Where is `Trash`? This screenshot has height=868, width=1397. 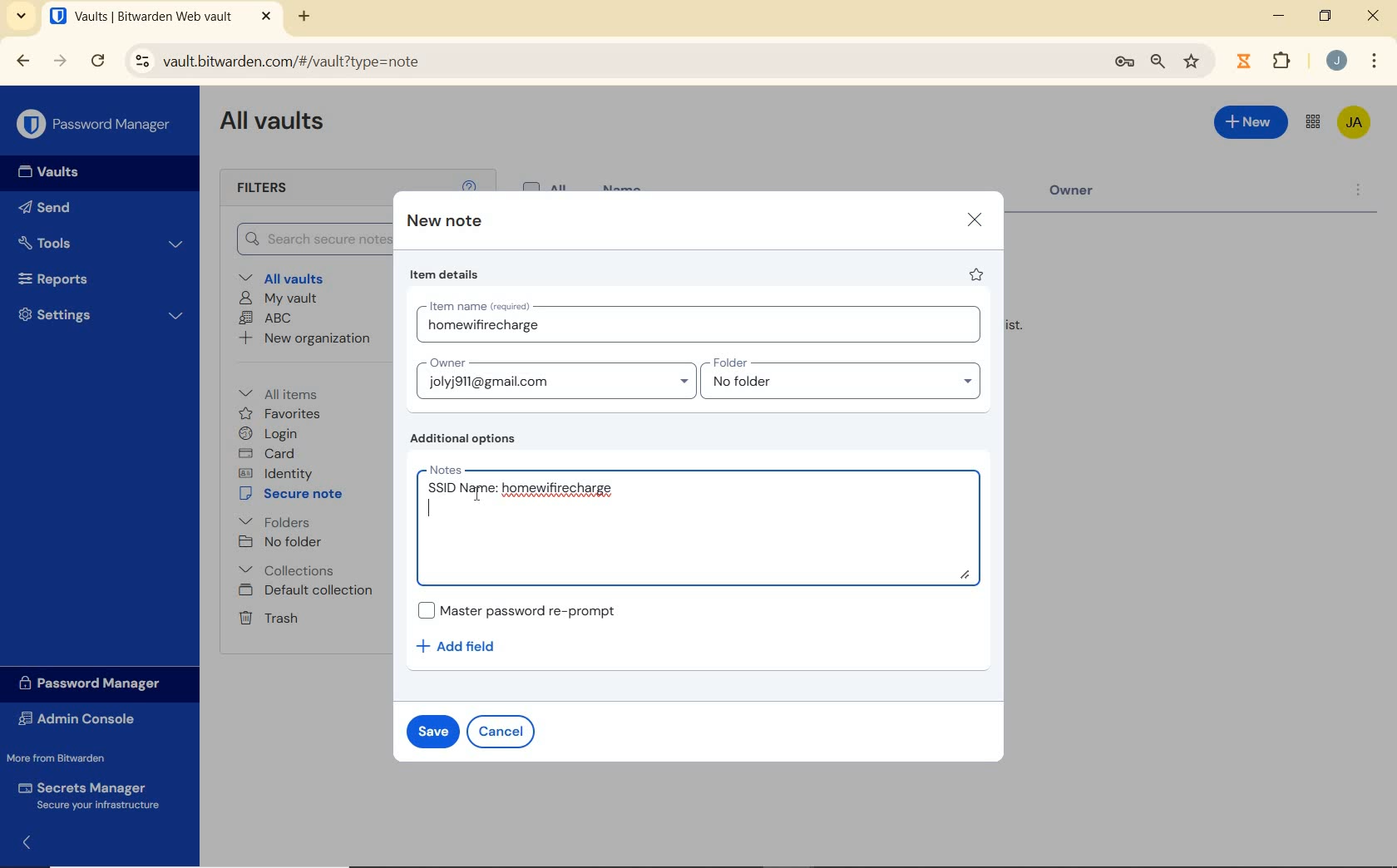 Trash is located at coordinates (268, 618).